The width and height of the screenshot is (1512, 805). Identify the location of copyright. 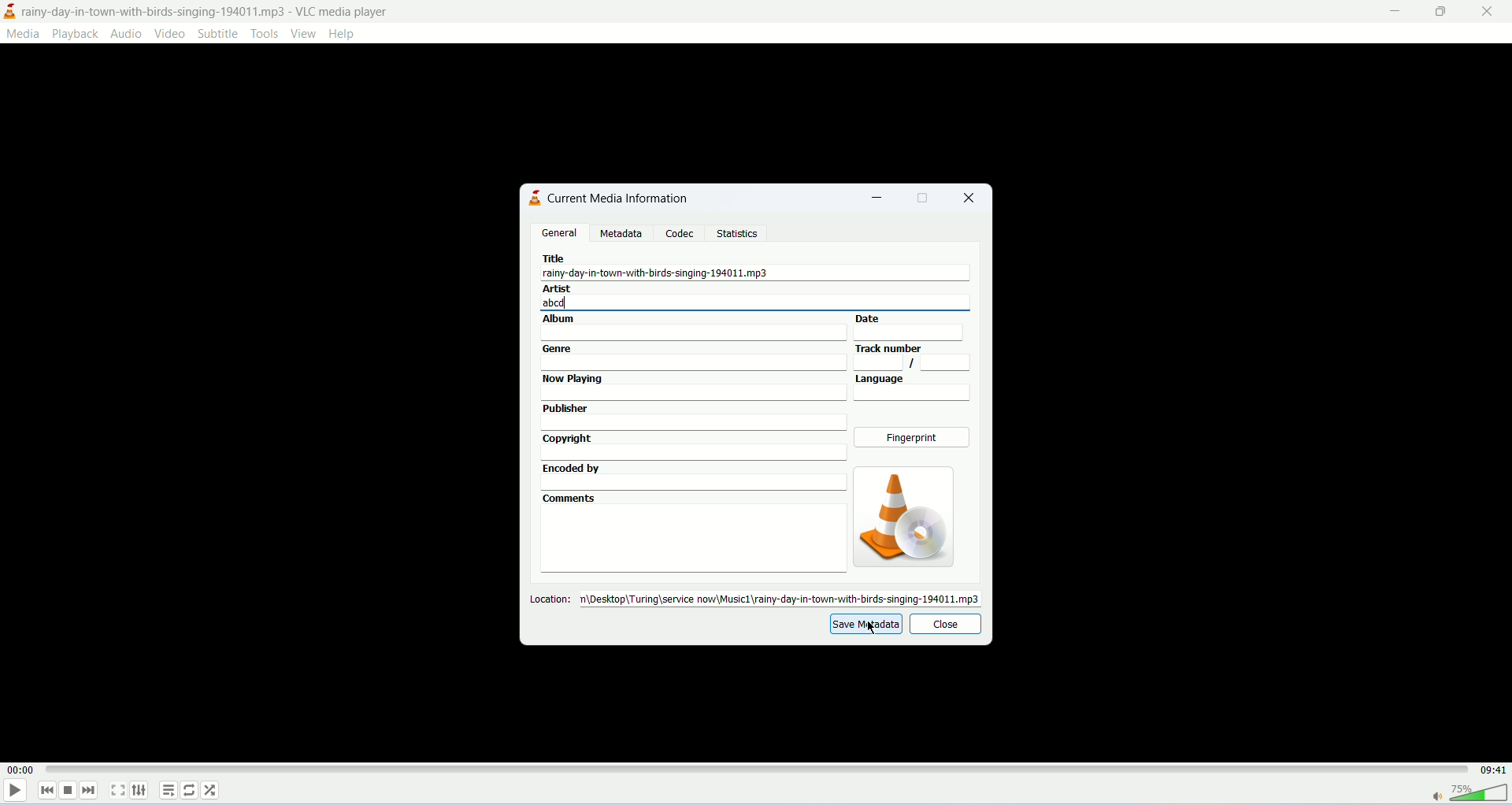
(694, 447).